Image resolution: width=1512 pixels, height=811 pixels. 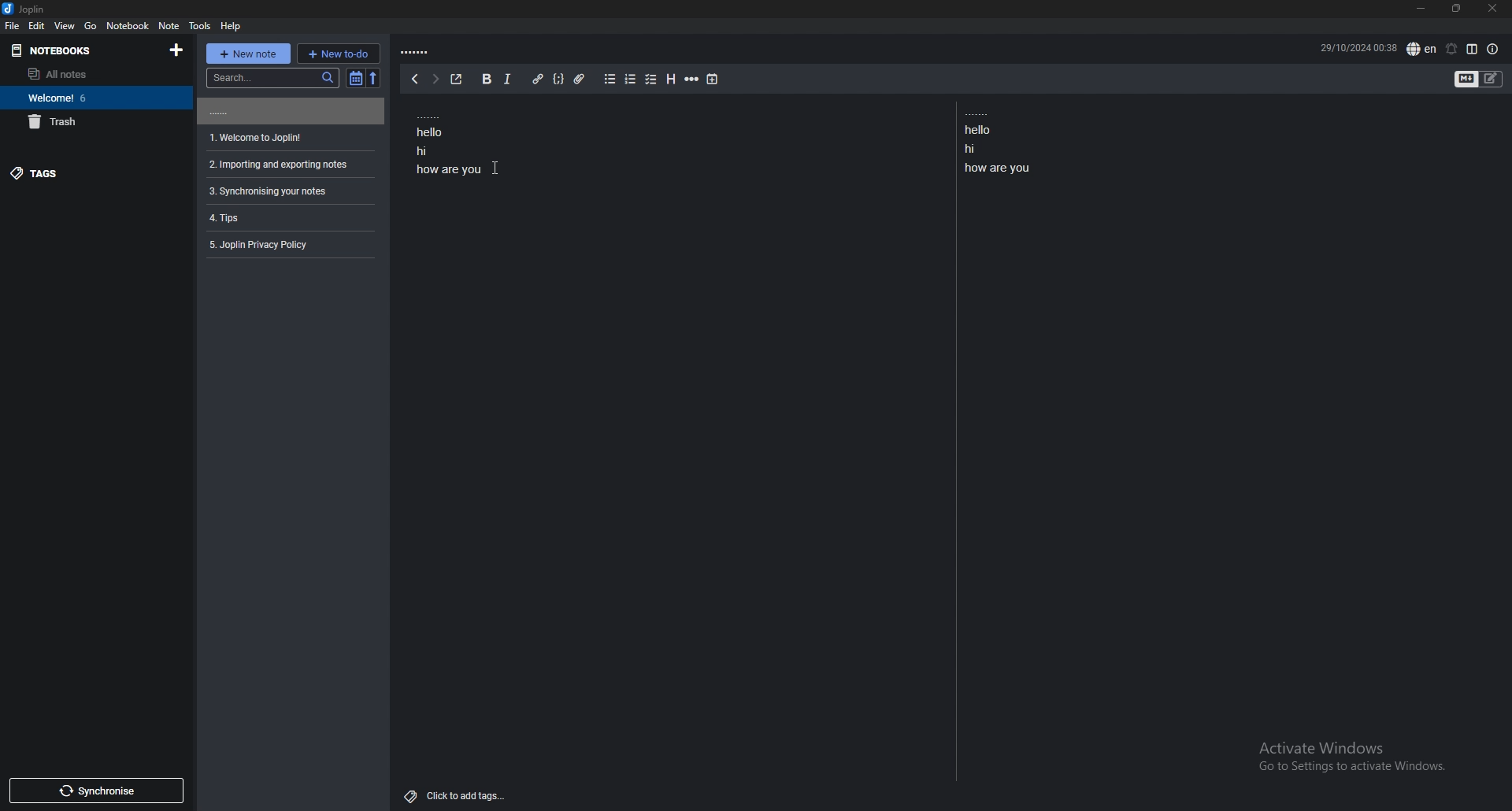 What do you see at coordinates (1004, 143) in the screenshot?
I see `note text` at bounding box center [1004, 143].